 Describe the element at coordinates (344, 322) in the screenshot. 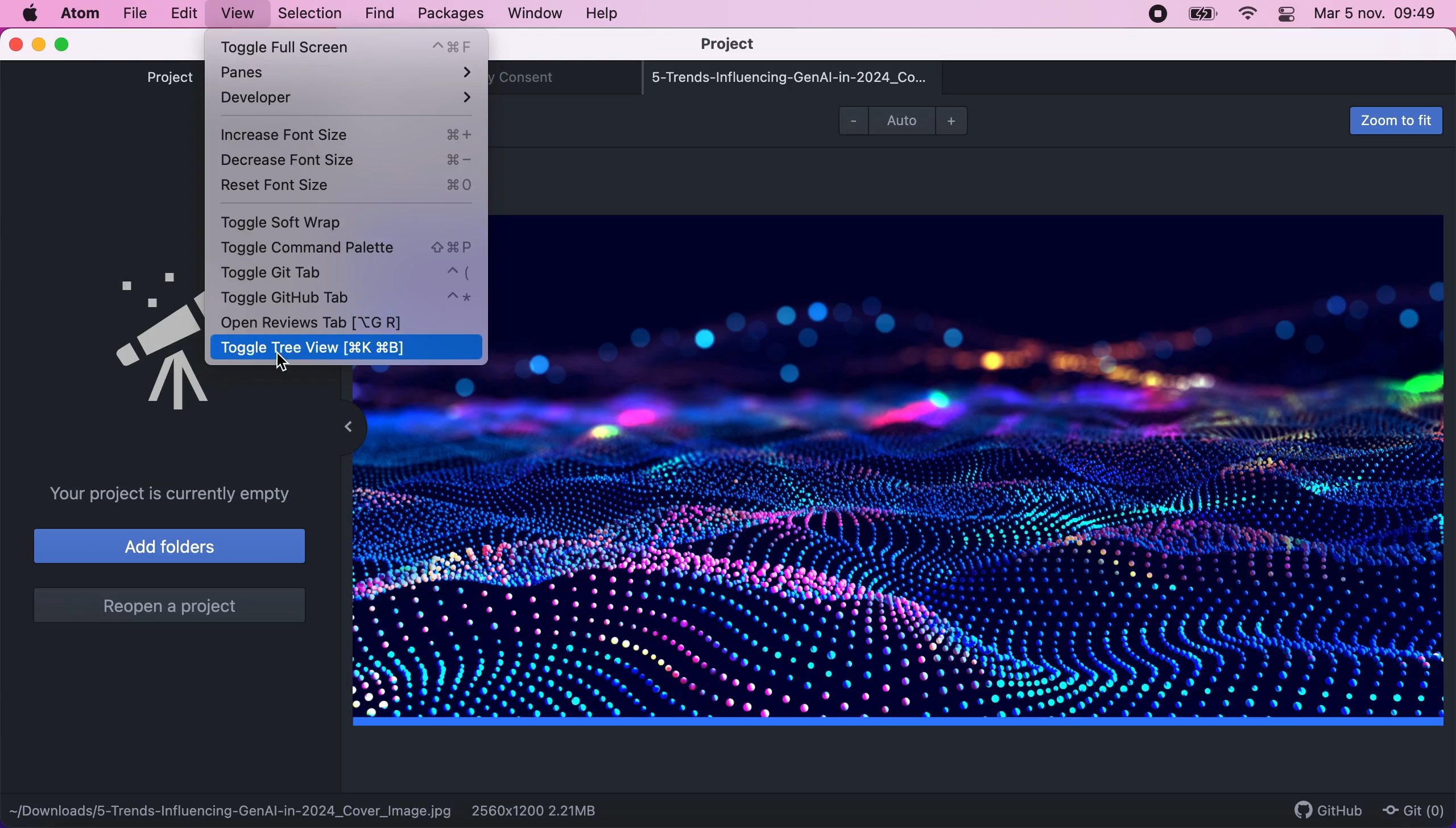

I see `open reviews tab` at that location.